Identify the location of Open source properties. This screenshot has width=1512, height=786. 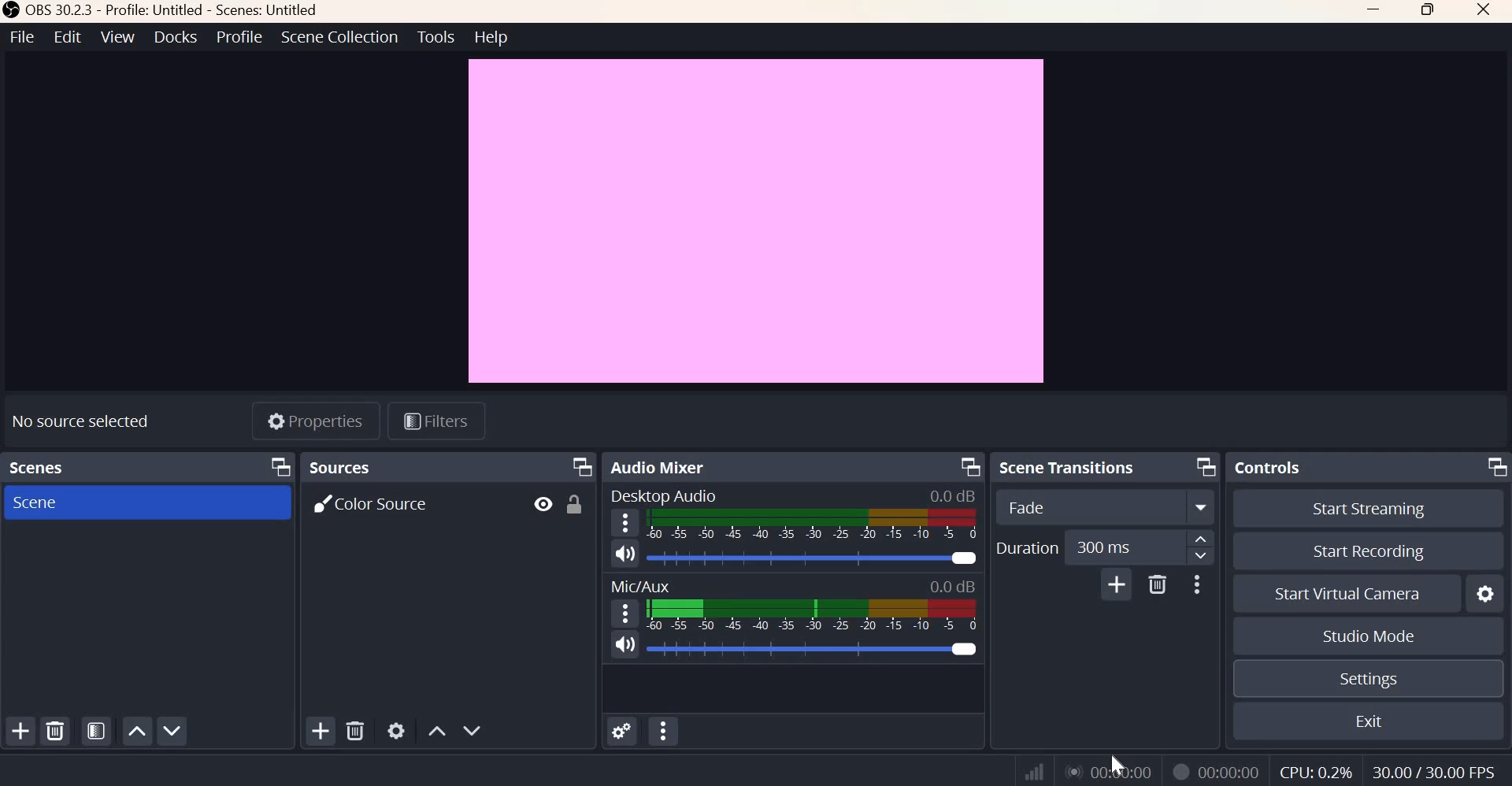
(318, 420).